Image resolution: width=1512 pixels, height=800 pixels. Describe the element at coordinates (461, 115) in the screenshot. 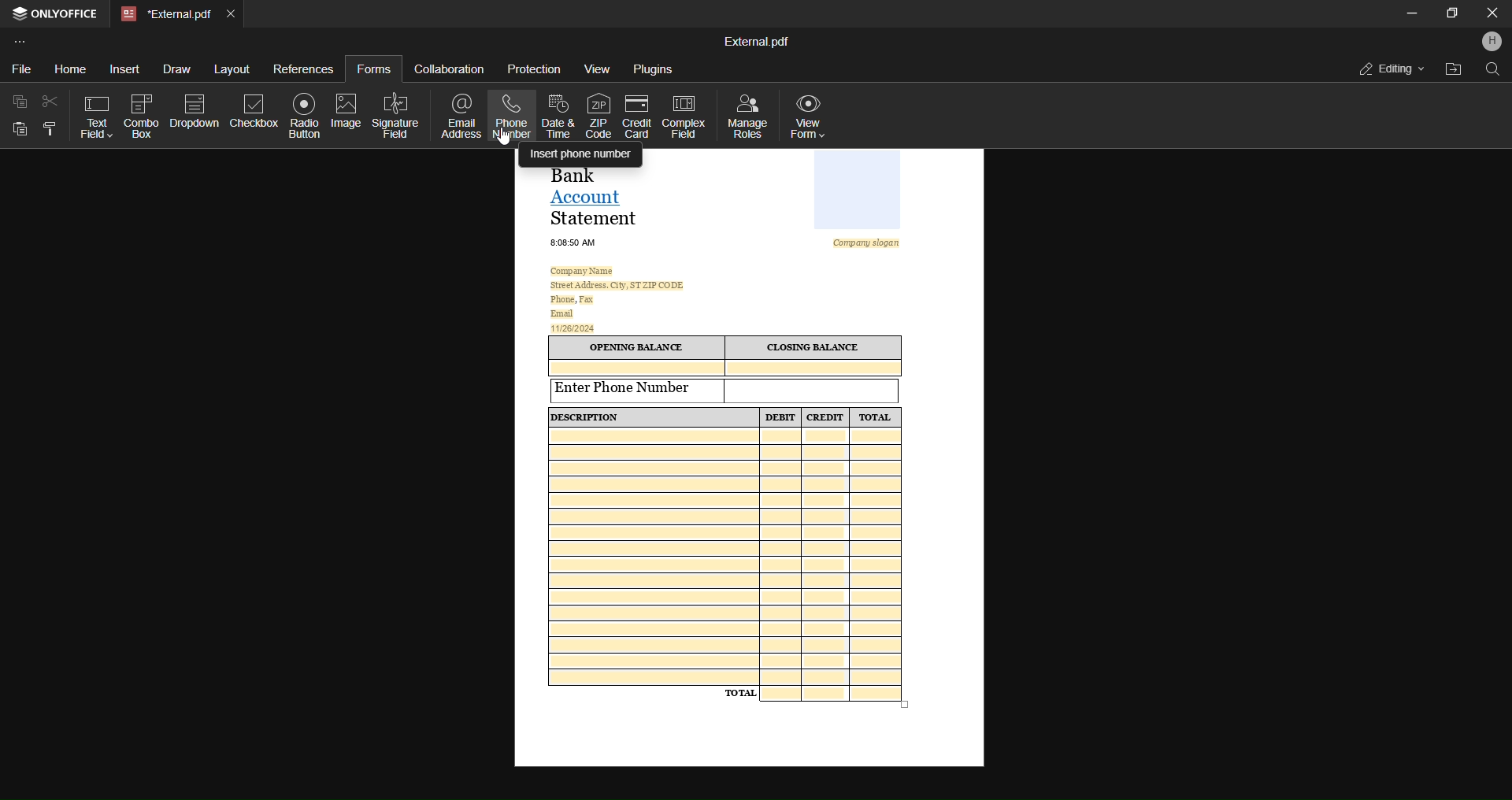

I see `email address` at that location.